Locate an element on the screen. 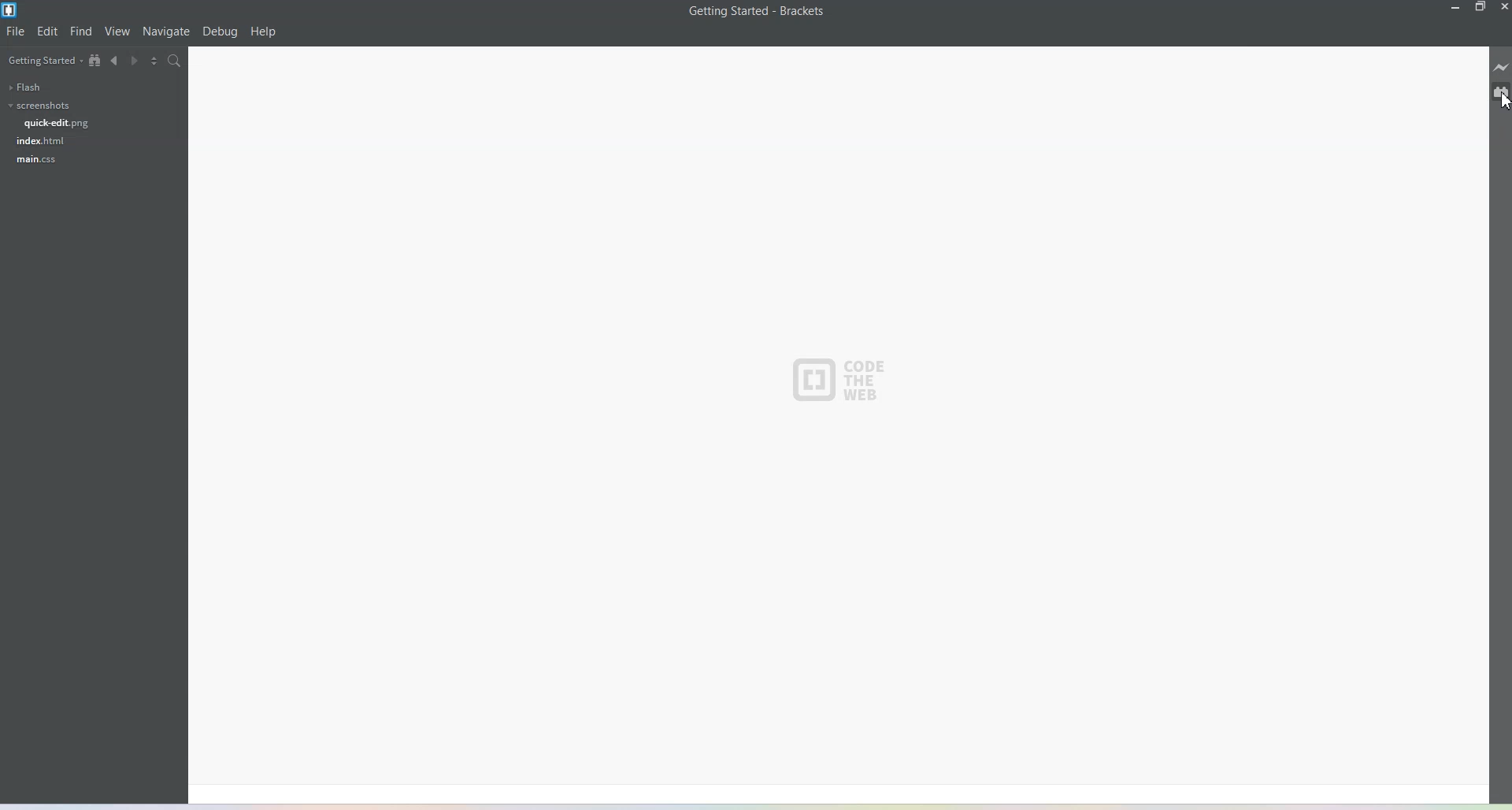  Extension Manager is located at coordinates (1501, 94).